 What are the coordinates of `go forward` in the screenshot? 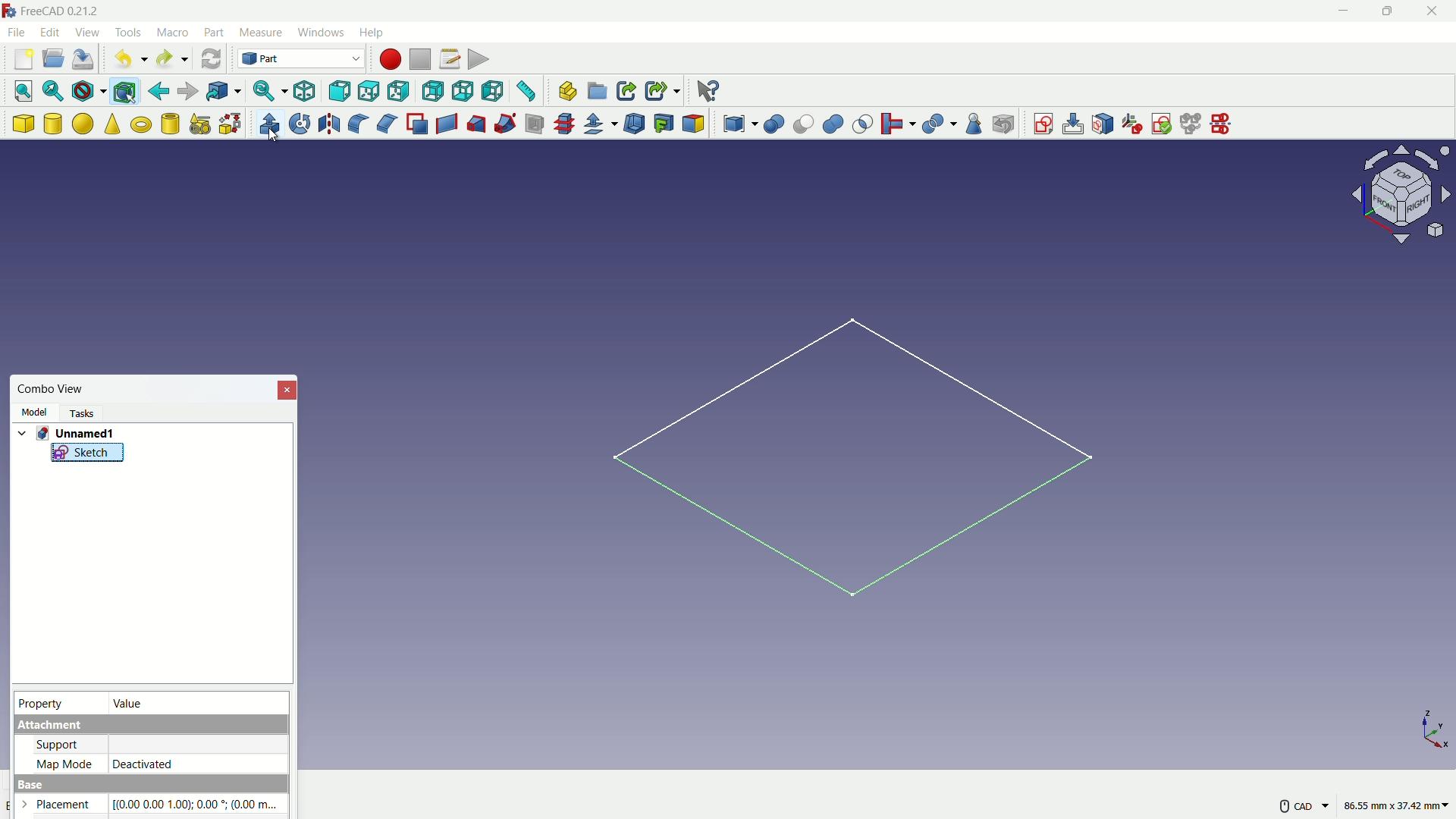 It's located at (188, 91).